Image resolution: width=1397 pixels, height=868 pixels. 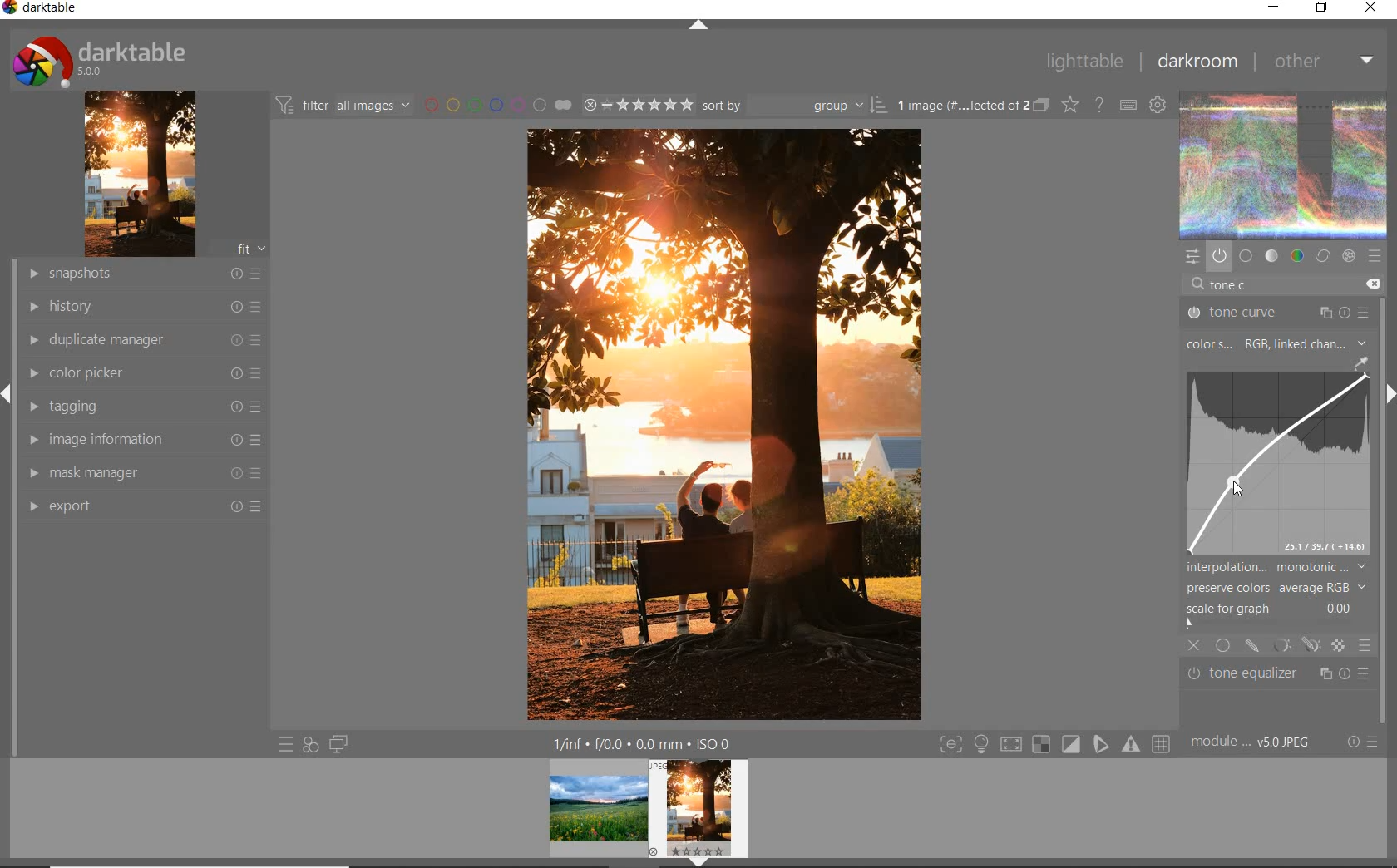 What do you see at coordinates (1131, 105) in the screenshot?
I see `define keyboard shortcuts` at bounding box center [1131, 105].